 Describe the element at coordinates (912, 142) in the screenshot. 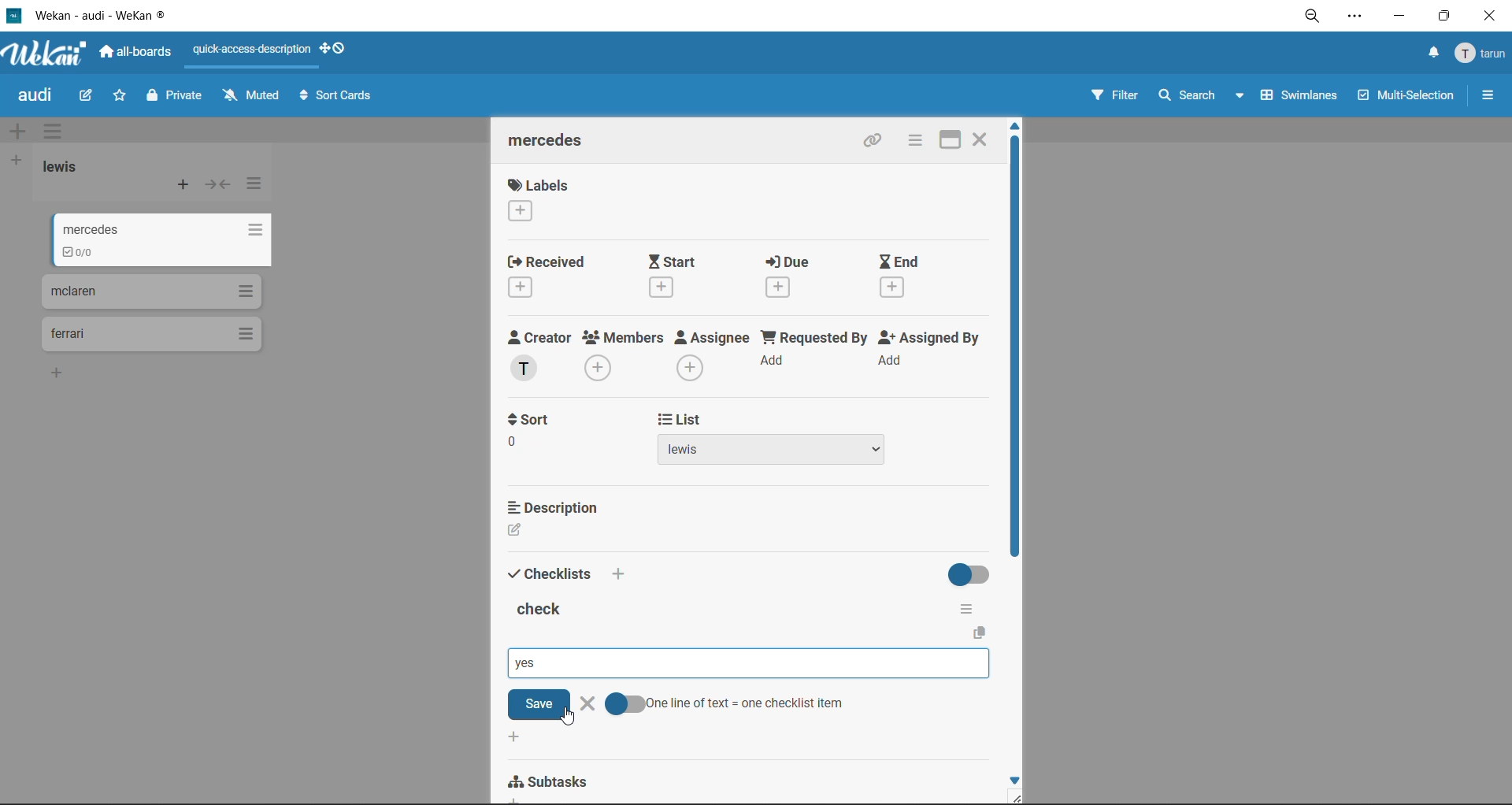

I see `card actions` at that location.